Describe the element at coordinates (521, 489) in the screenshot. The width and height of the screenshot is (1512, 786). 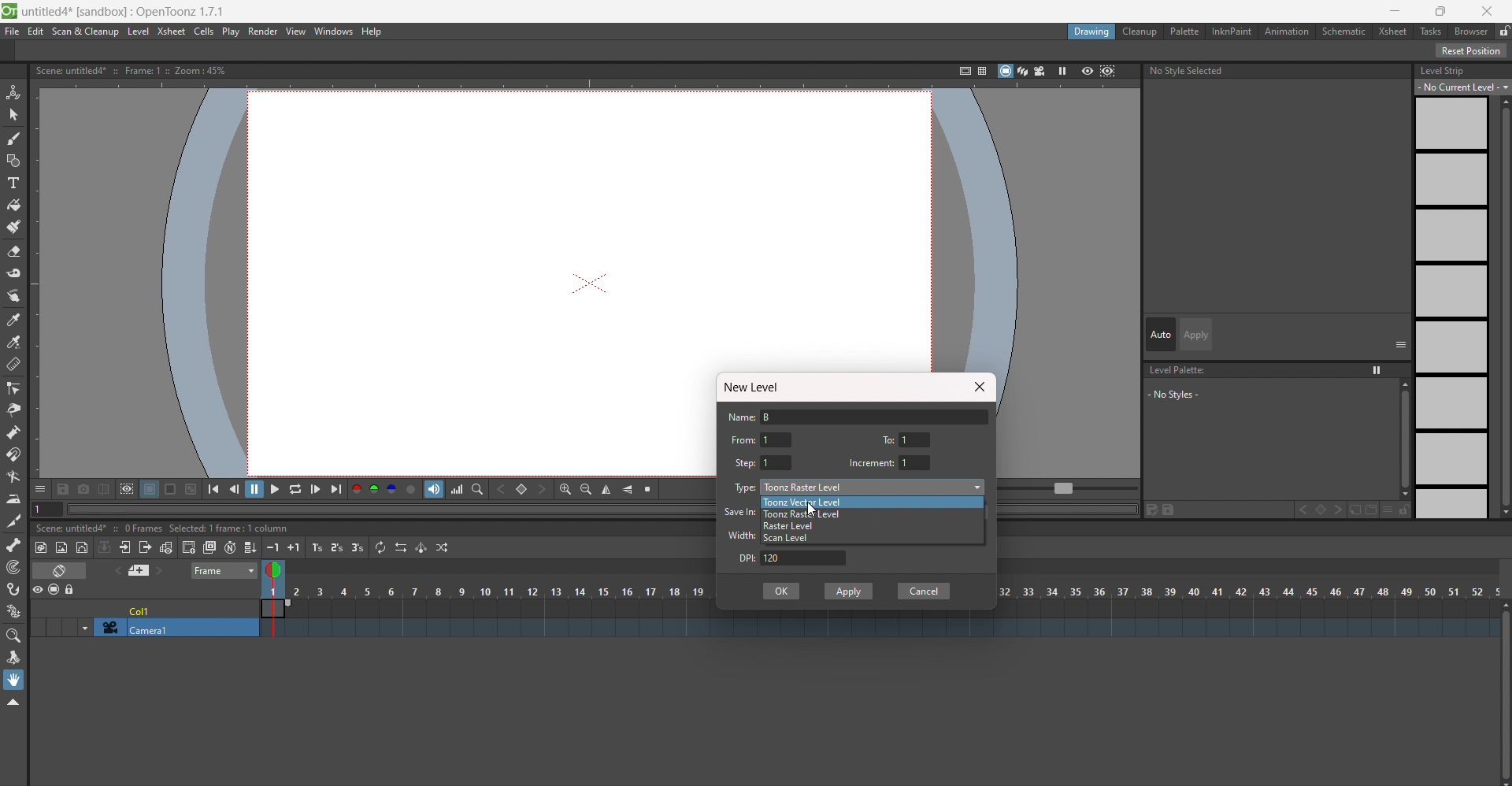
I see `set key` at that location.